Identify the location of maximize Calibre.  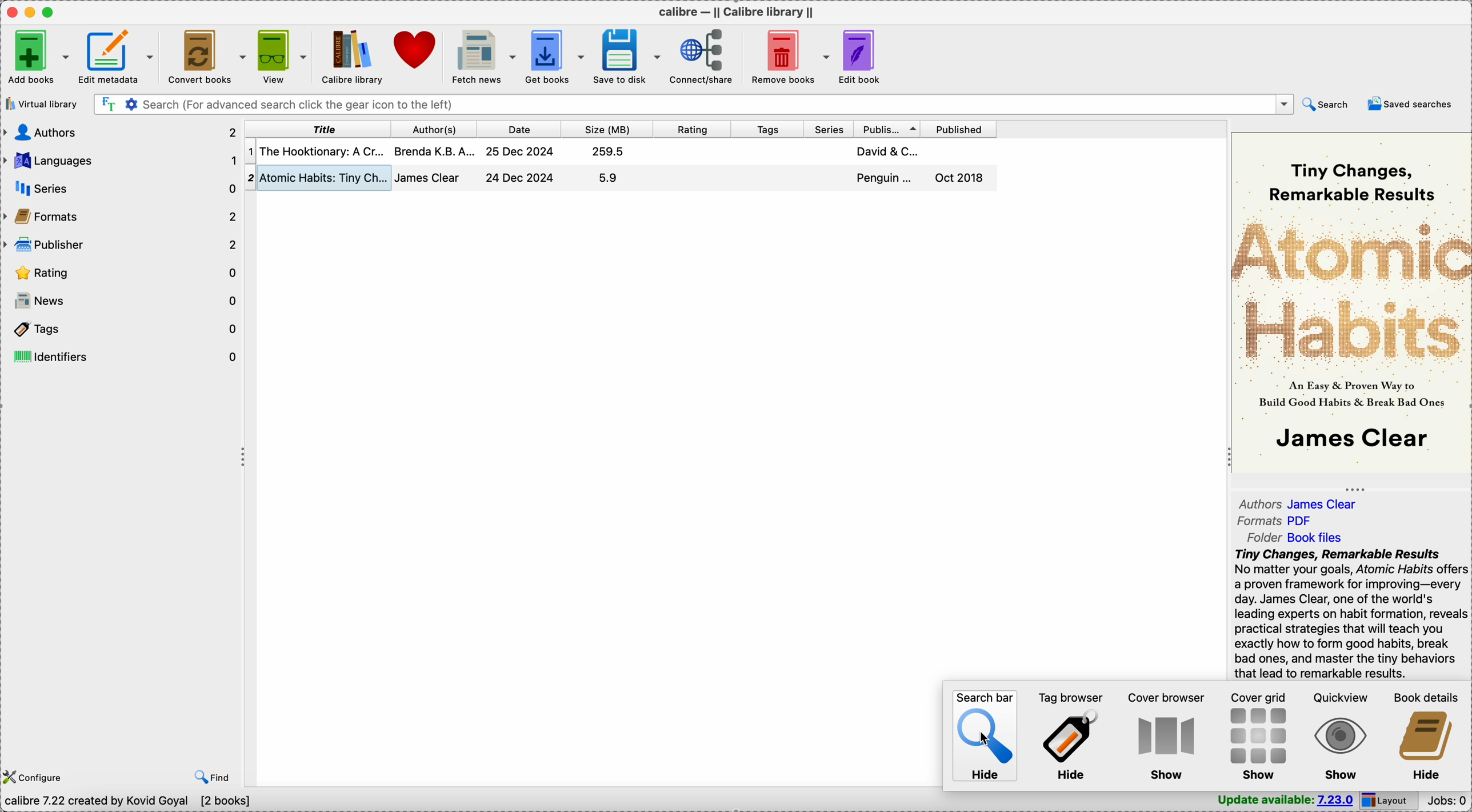
(50, 12).